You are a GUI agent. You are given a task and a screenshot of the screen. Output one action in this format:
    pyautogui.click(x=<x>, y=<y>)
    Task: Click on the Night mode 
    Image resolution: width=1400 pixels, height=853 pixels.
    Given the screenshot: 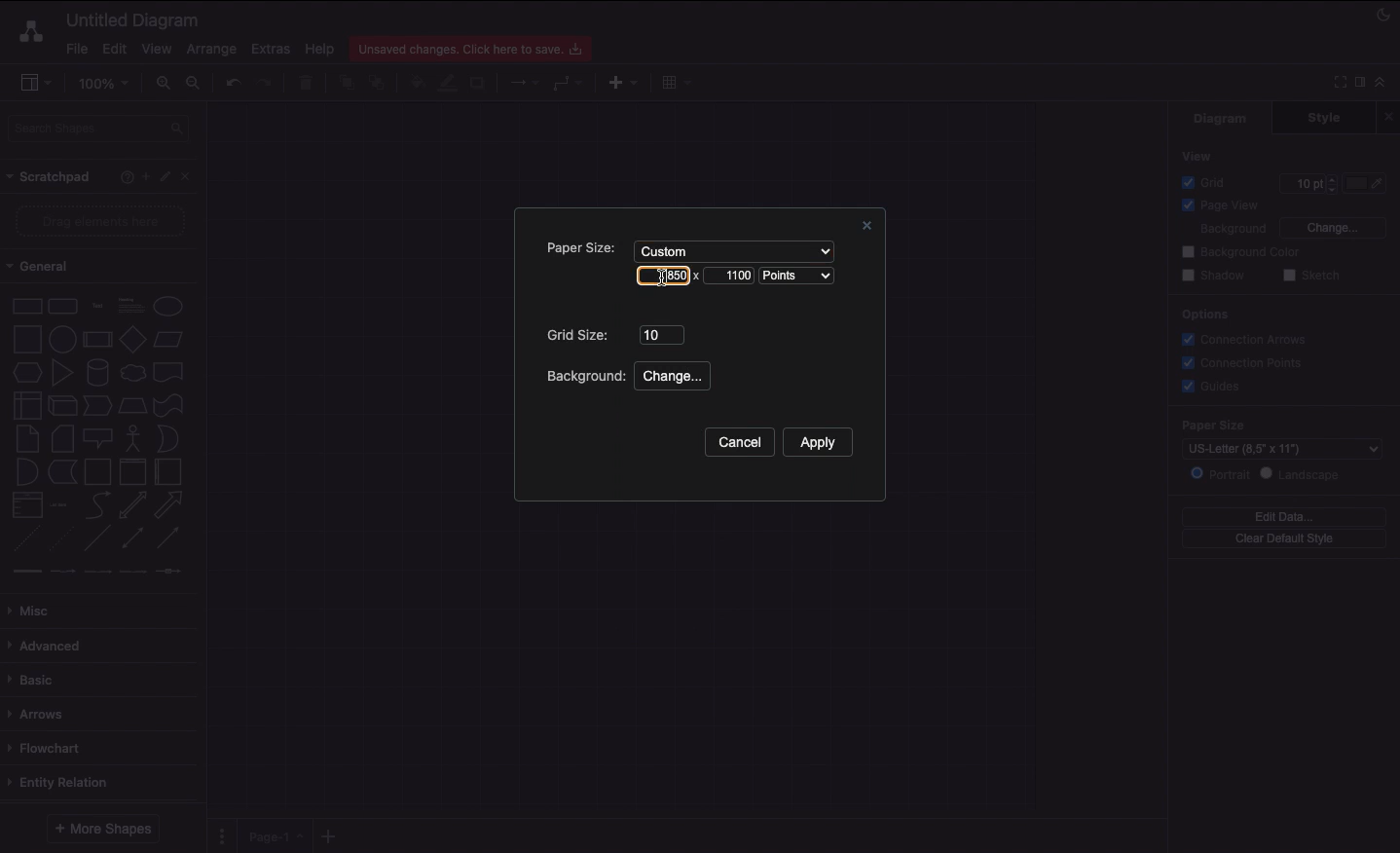 What is the action you would take?
    pyautogui.click(x=1384, y=13)
    